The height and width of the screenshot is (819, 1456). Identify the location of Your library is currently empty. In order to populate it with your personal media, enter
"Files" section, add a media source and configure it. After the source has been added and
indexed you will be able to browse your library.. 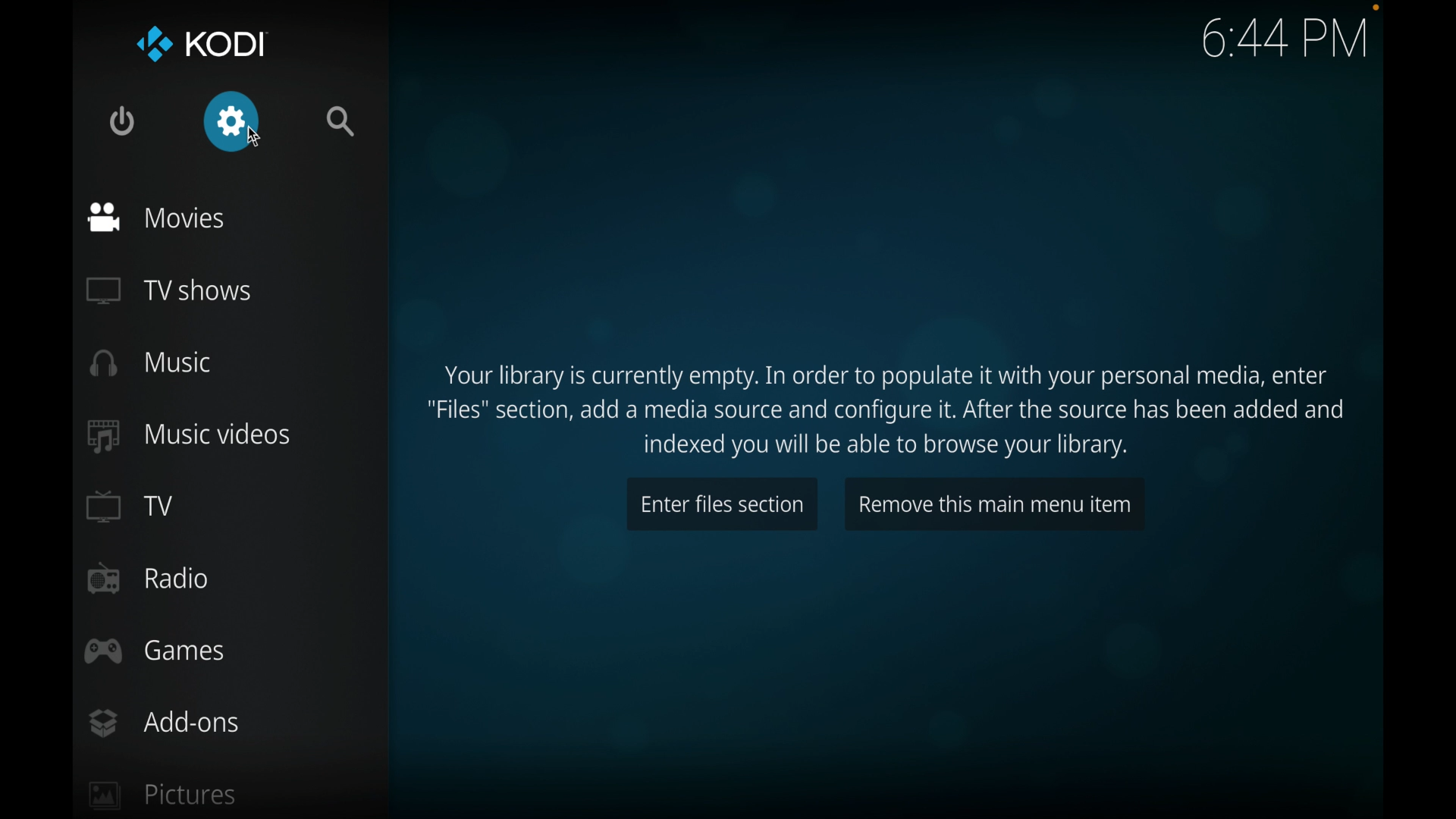
(887, 401).